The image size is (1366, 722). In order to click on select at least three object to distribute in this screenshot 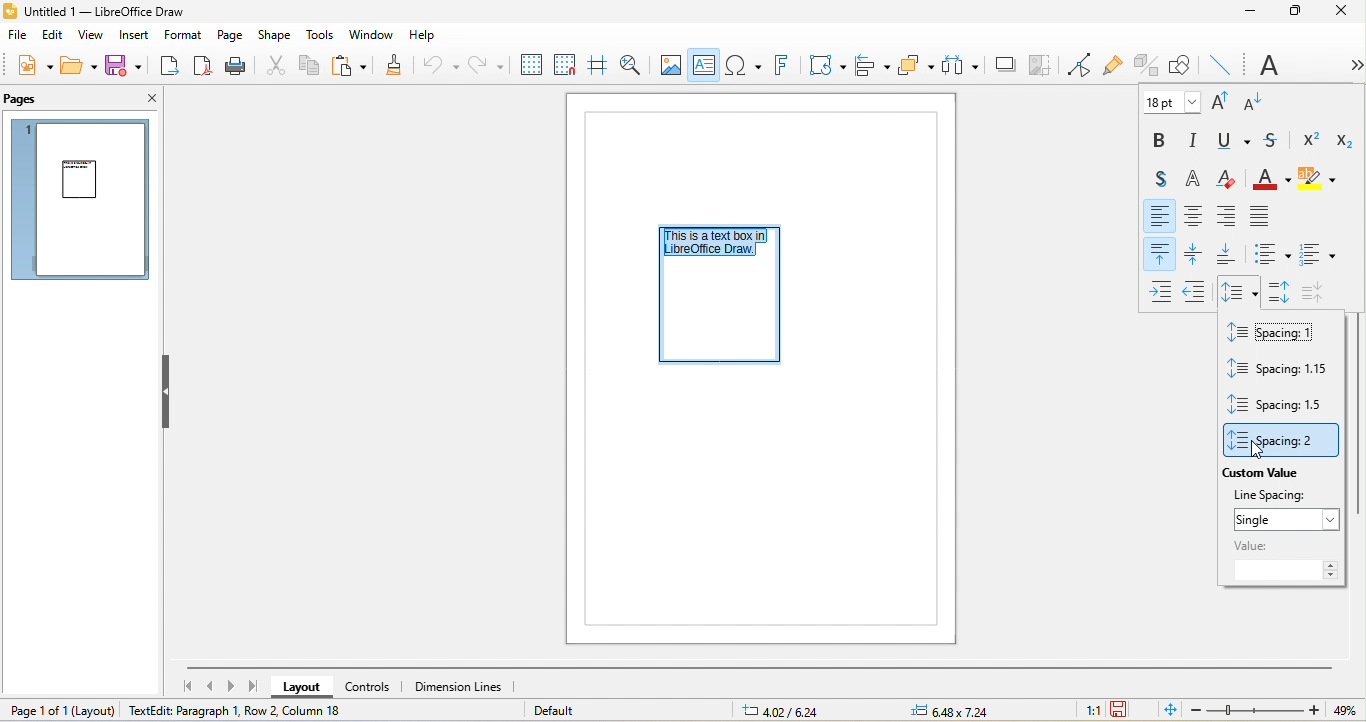, I will do `click(959, 65)`.